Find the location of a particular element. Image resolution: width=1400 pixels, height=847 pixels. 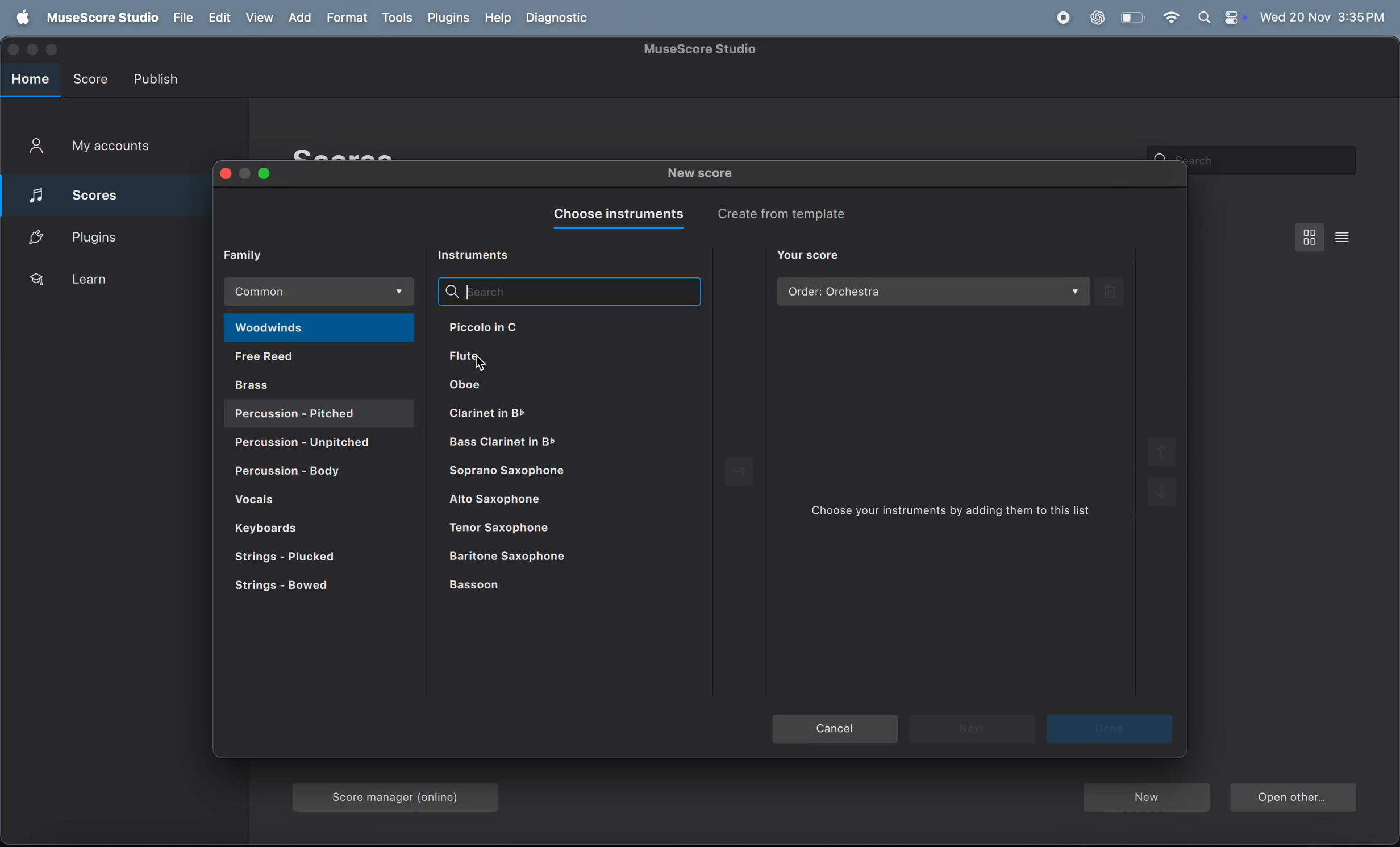

percussion body is located at coordinates (315, 473).